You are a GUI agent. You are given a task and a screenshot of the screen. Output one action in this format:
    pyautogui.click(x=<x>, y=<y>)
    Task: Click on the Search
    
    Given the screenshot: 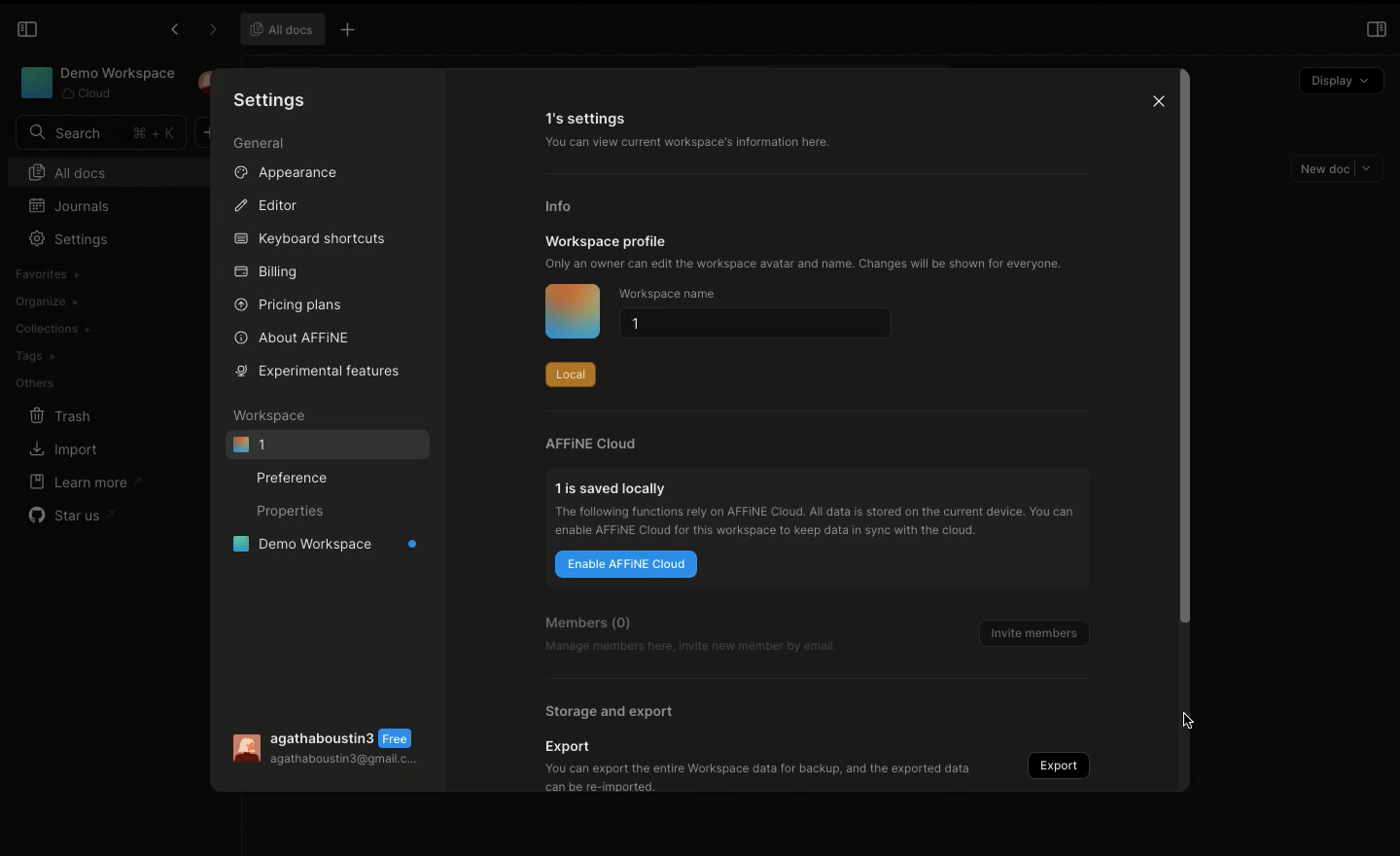 What is the action you would take?
    pyautogui.click(x=100, y=132)
    